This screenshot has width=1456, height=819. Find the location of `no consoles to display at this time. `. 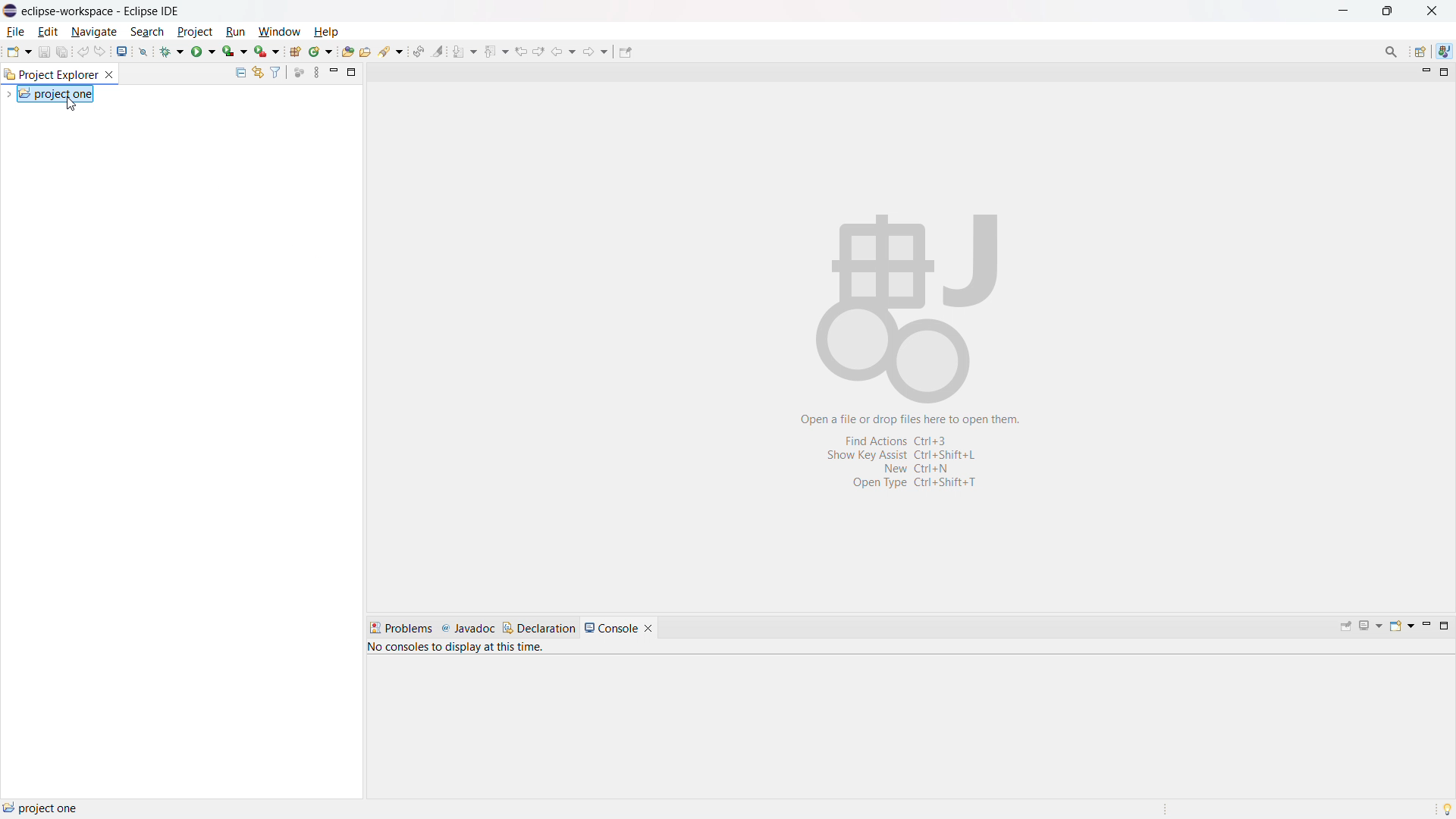

no consoles to display at this time.  is located at coordinates (459, 650).